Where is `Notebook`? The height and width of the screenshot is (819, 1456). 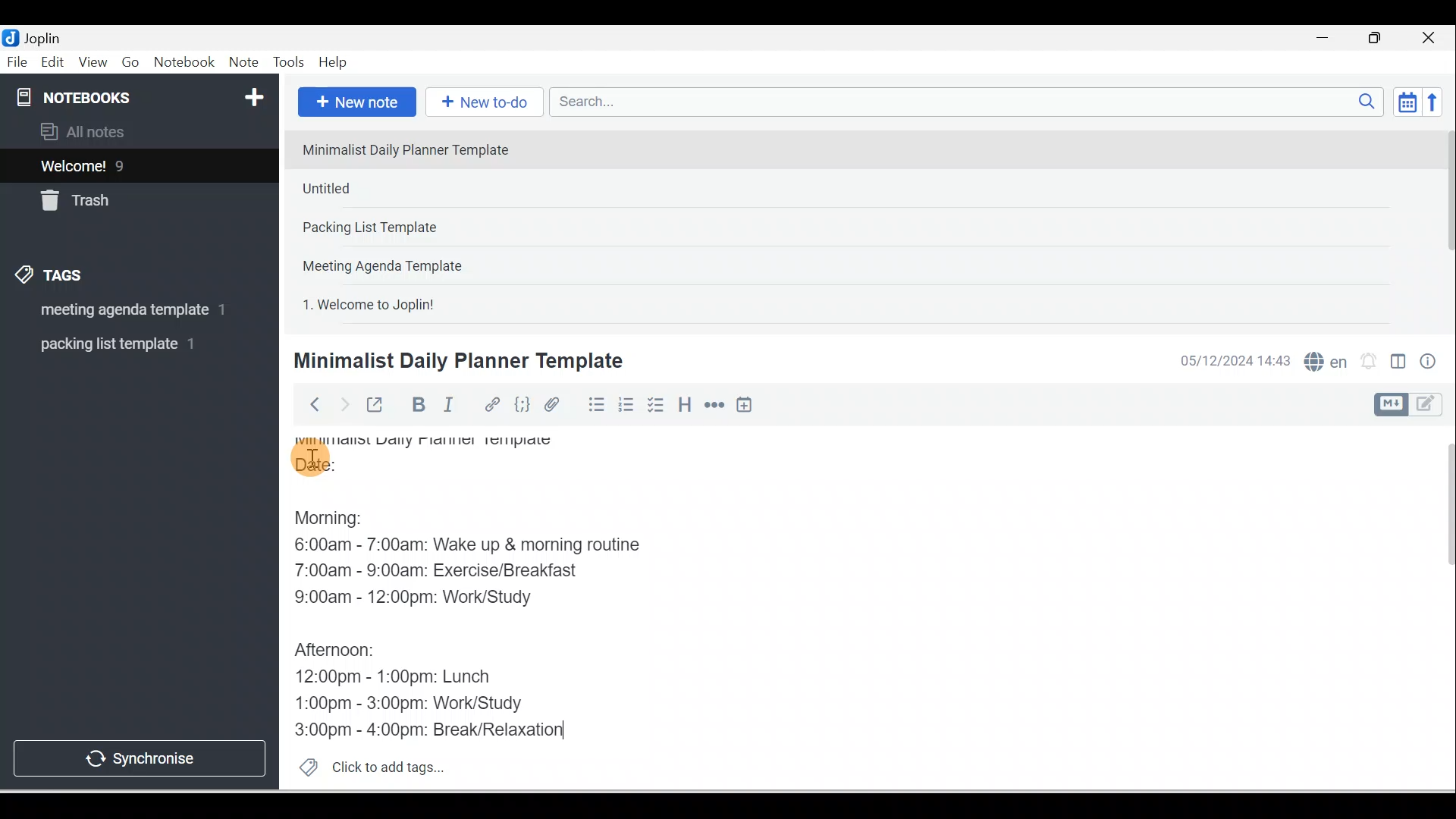
Notebook is located at coordinates (184, 63).